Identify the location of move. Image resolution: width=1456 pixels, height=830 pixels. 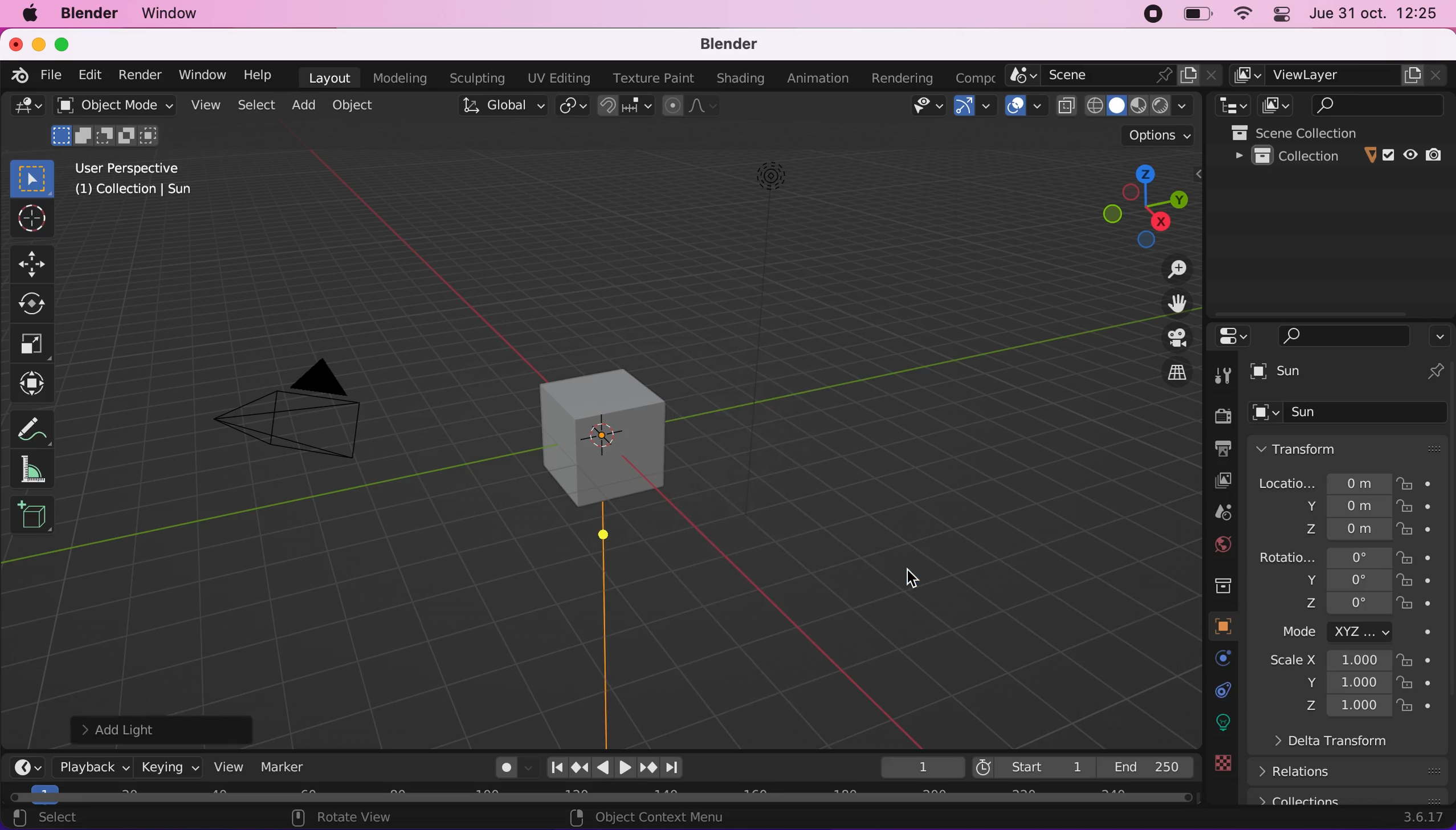
(35, 263).